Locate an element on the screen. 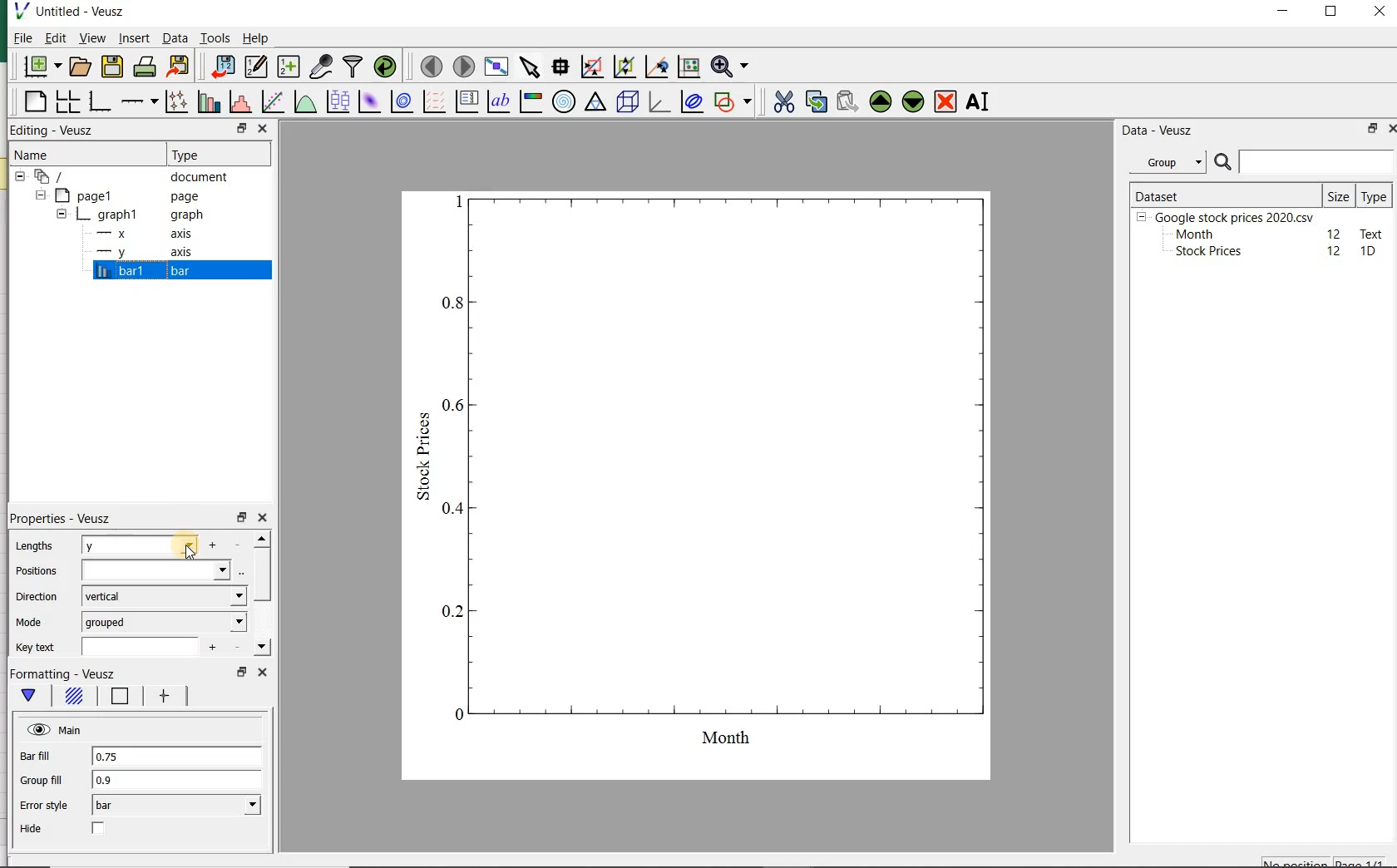 The width and height of the screenshot is (1397, 868). Data - Veusz is located at coordinates (1158, 130).